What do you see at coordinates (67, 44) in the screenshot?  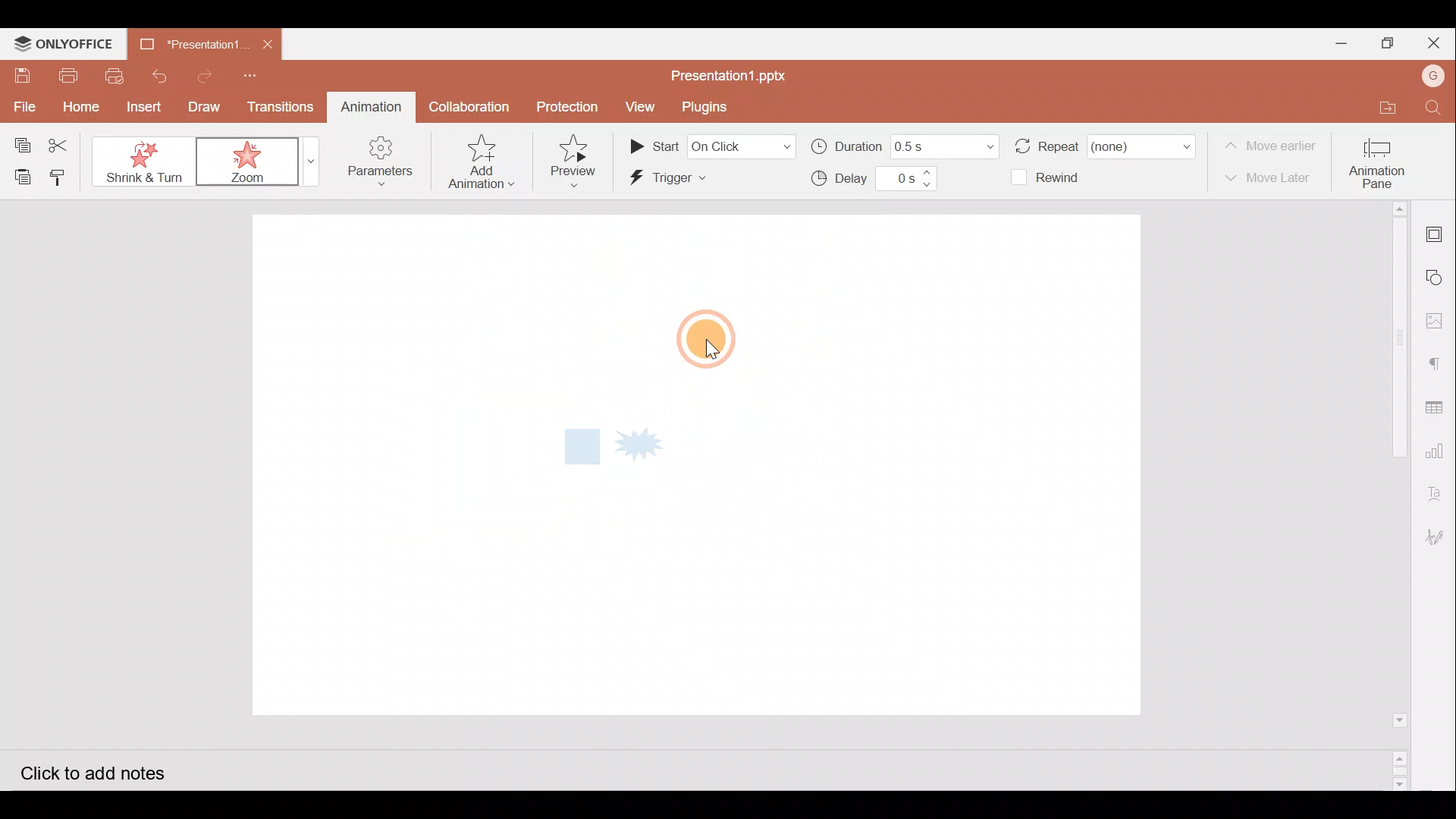 I see `ONLYOFFICE` at bounding box center [67, 44].